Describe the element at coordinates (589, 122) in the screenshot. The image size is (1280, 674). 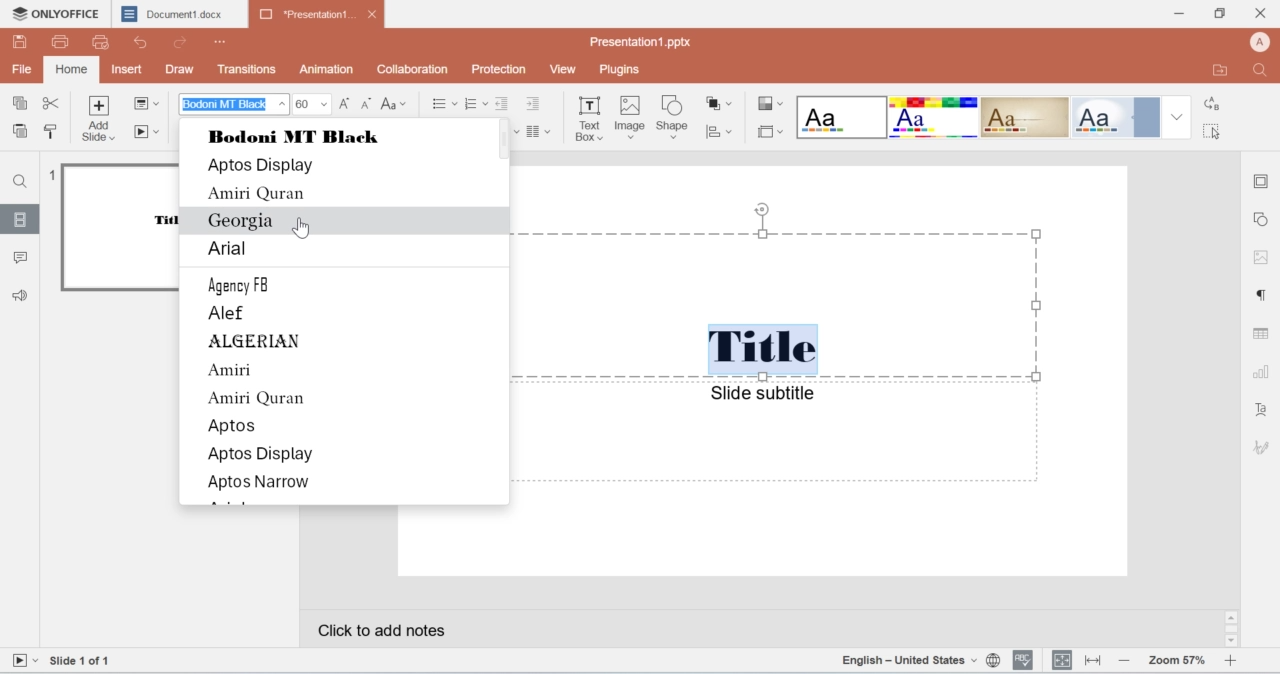
I see `text box` at that location.